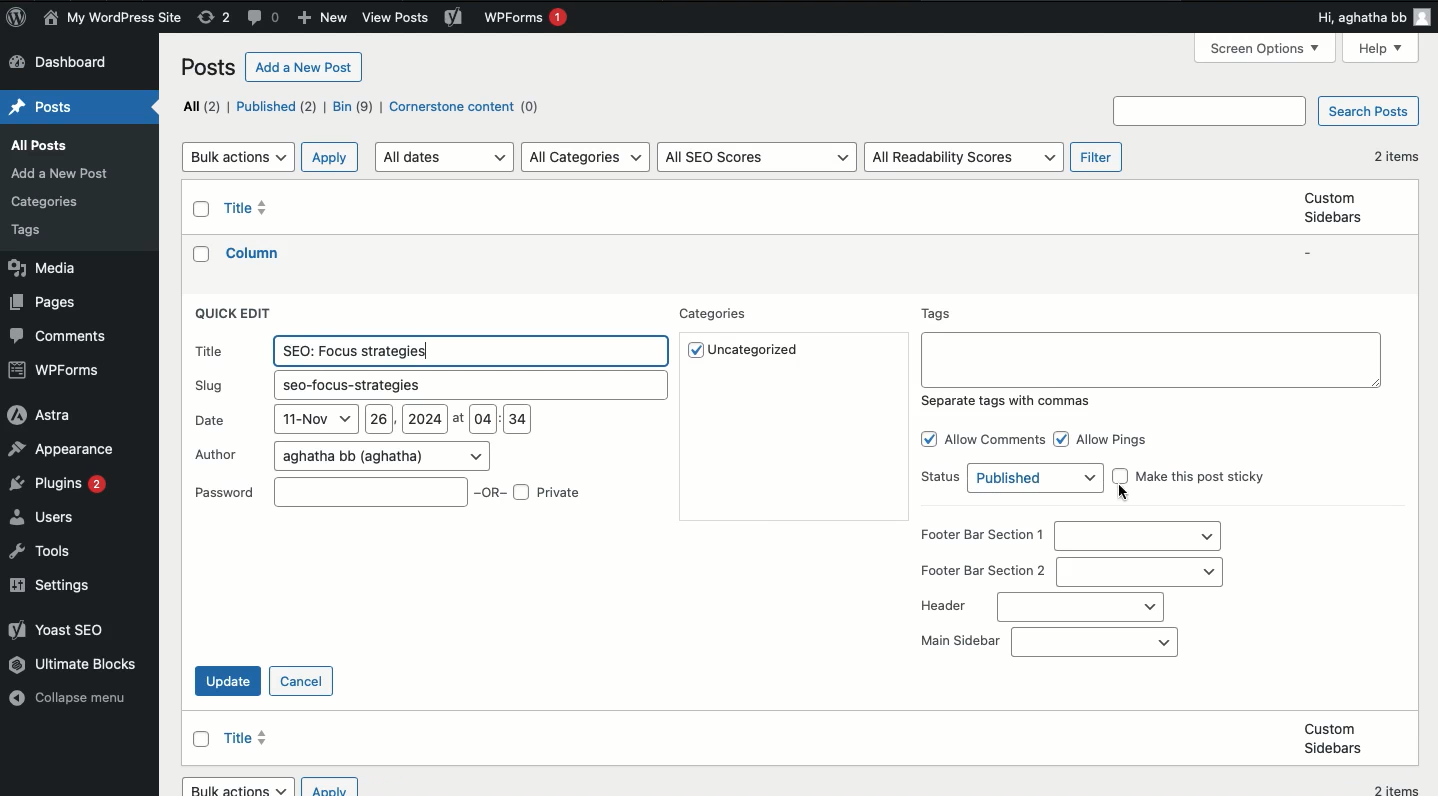  I want to click on Title, so click(210, 350).